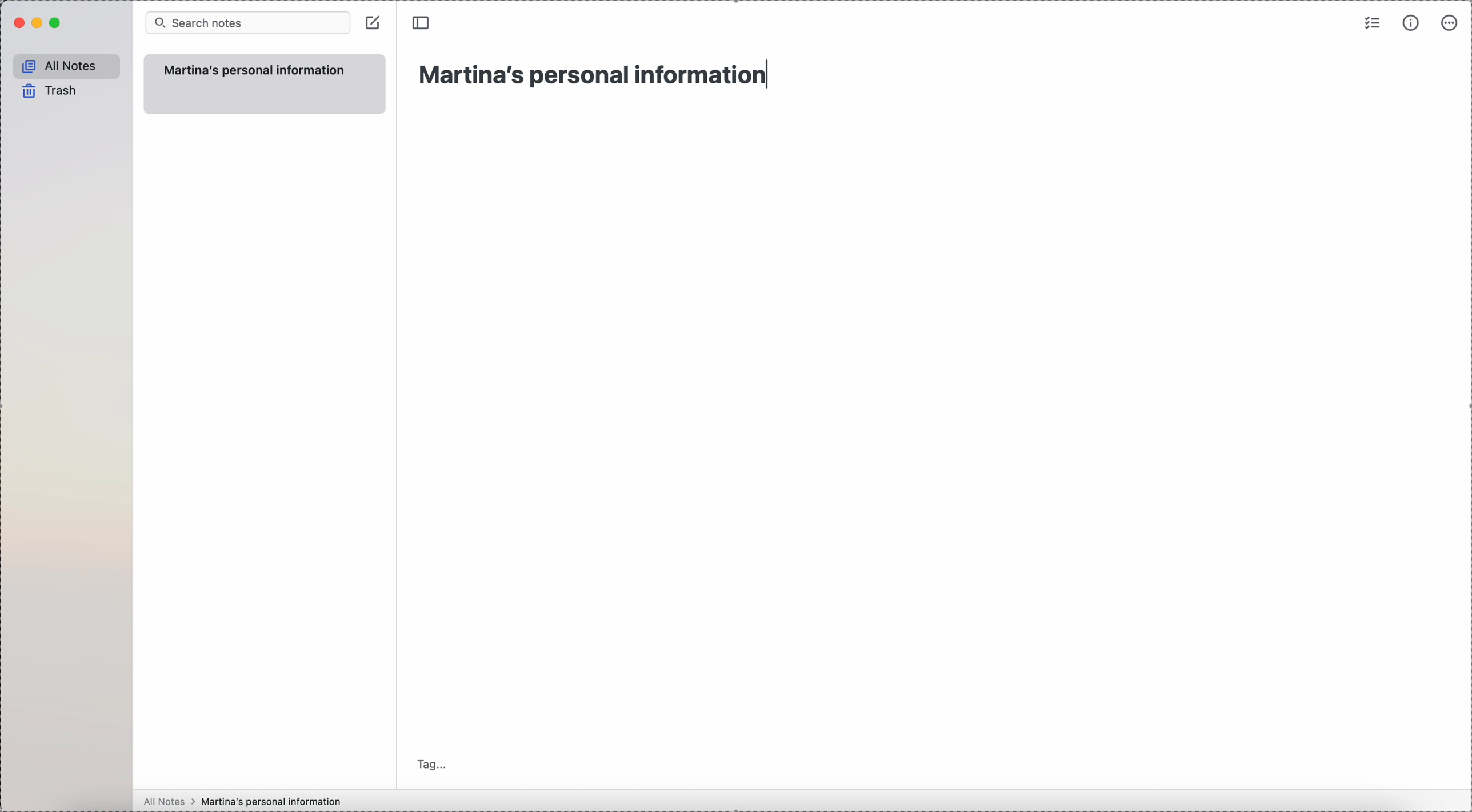 The height and width of the screenshot is (812, 1472). What do you see at coordinates (47, 90) in the screenshot?
I see `trash` at bounding box center [47, 90].